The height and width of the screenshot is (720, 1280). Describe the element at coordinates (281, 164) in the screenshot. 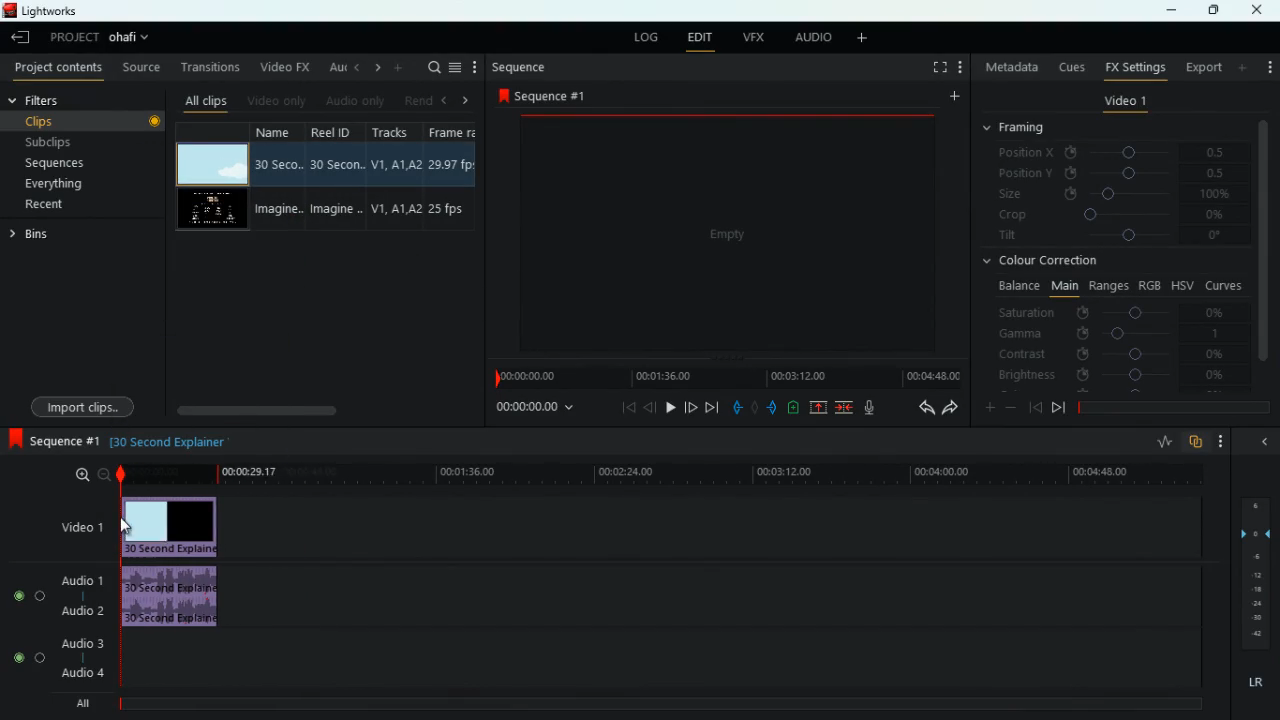

I see `30 Seco..` at that location.